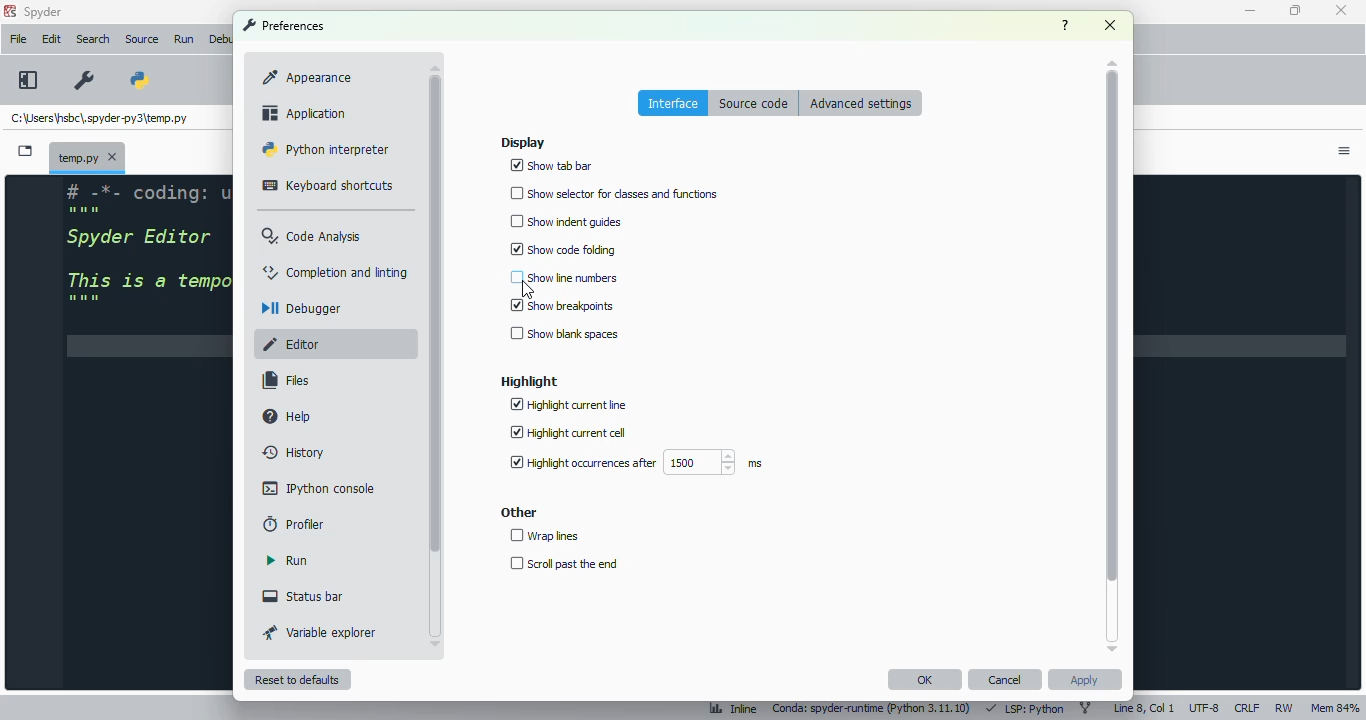  What do you see at coordinates (1293, 10) in the screenshot?
I see `maximize` at bounding box center [1293, 10].